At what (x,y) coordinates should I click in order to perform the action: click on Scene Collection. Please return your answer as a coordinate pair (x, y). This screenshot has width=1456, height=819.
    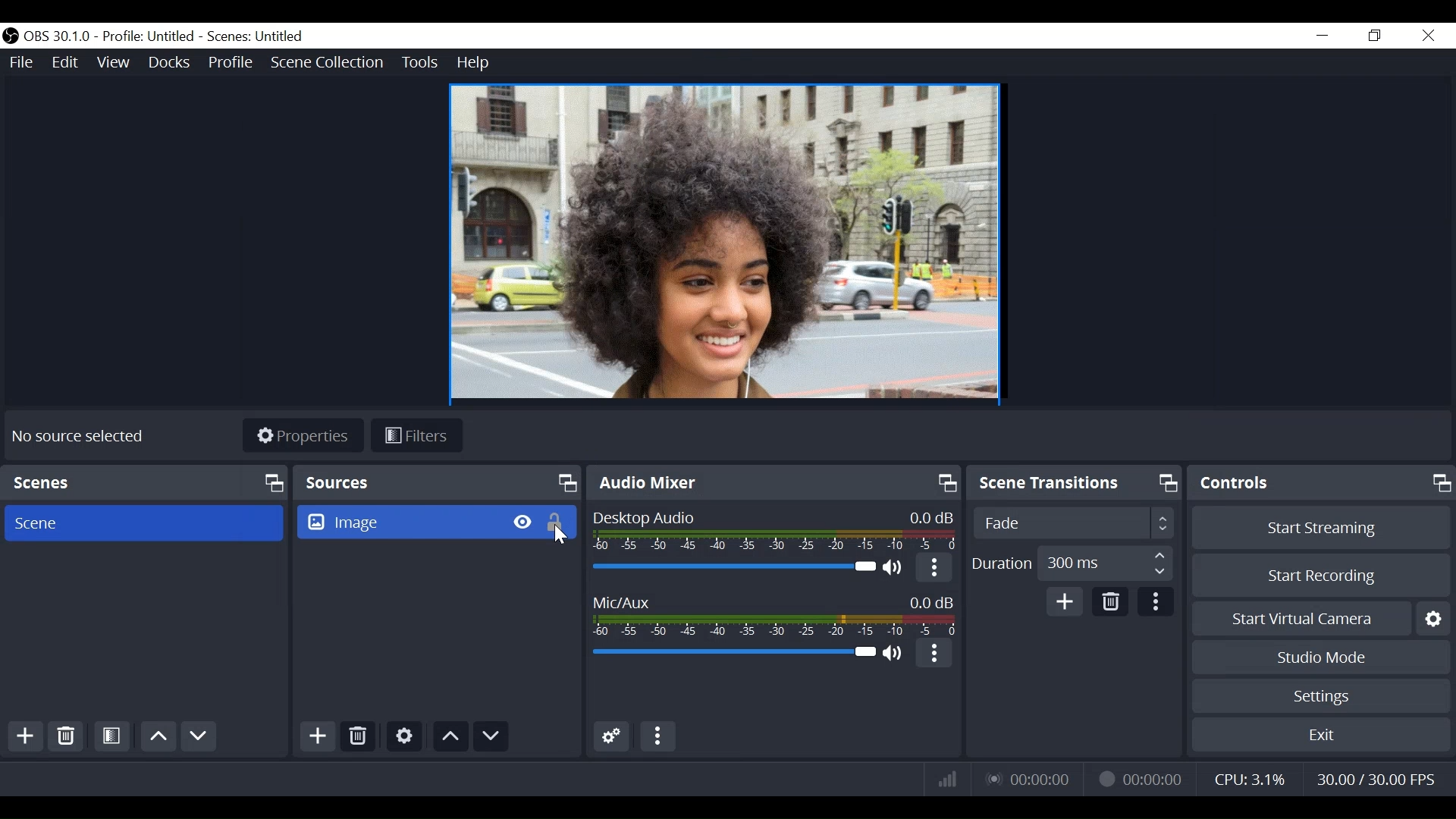
    Looking at the image, I should click on (328, 61).